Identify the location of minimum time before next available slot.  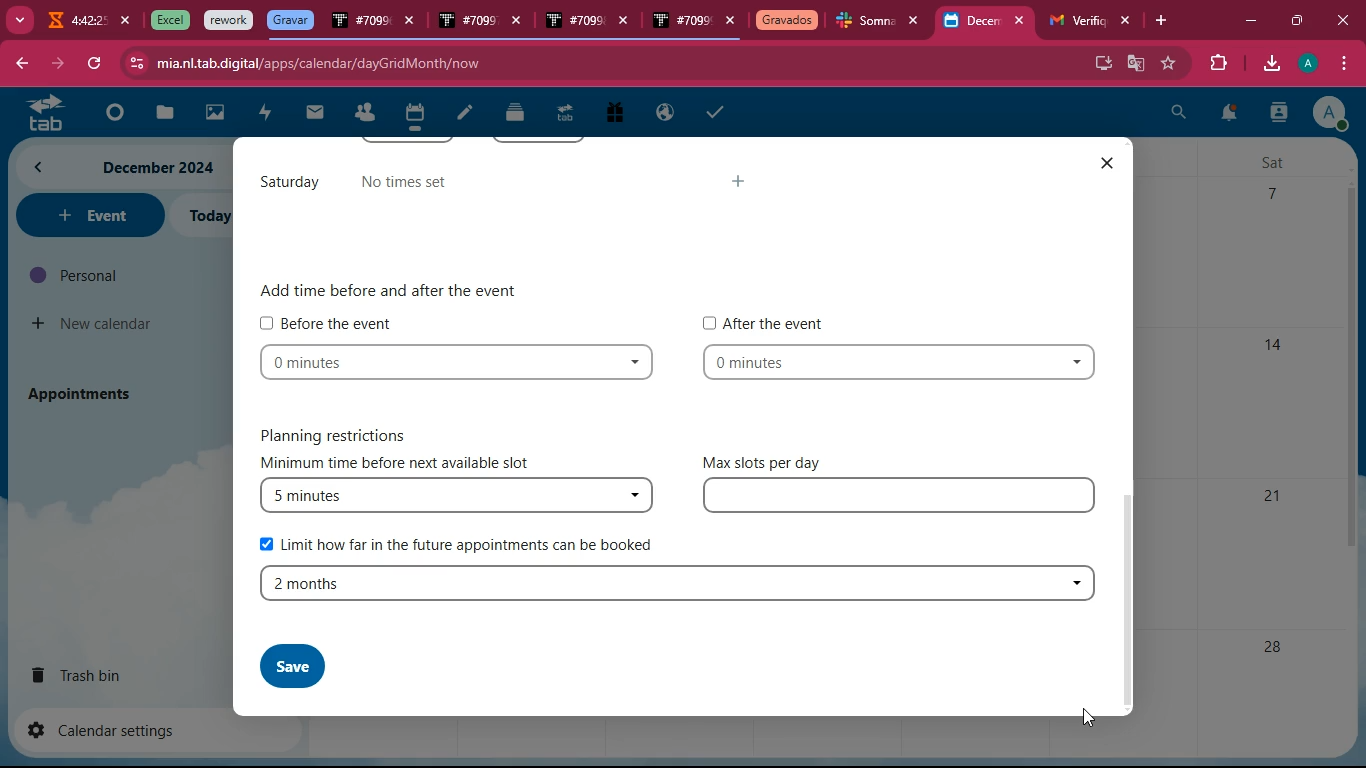
(392, 462).